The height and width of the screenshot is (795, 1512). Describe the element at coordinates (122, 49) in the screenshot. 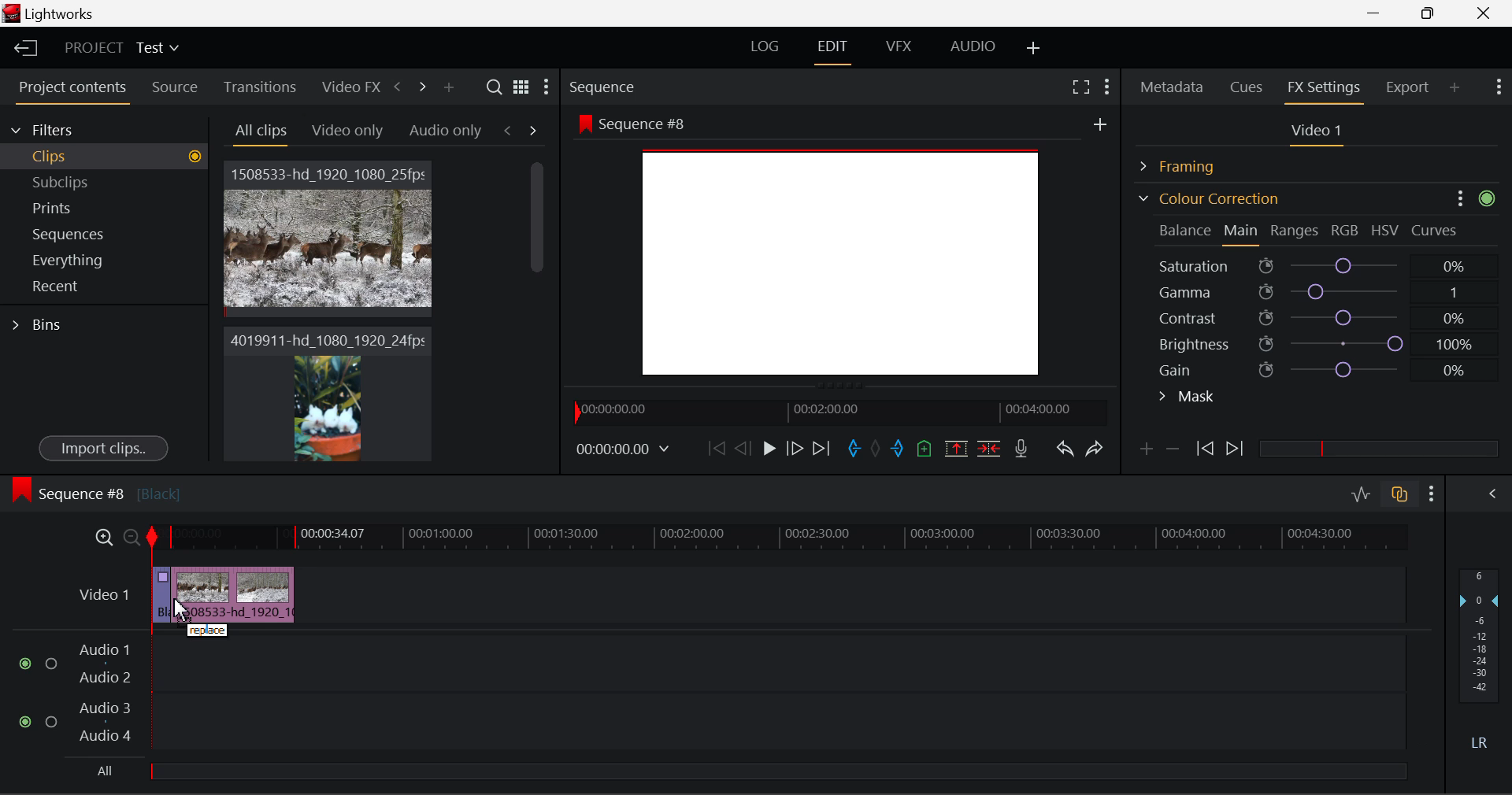

I see `Project Title` at that location.